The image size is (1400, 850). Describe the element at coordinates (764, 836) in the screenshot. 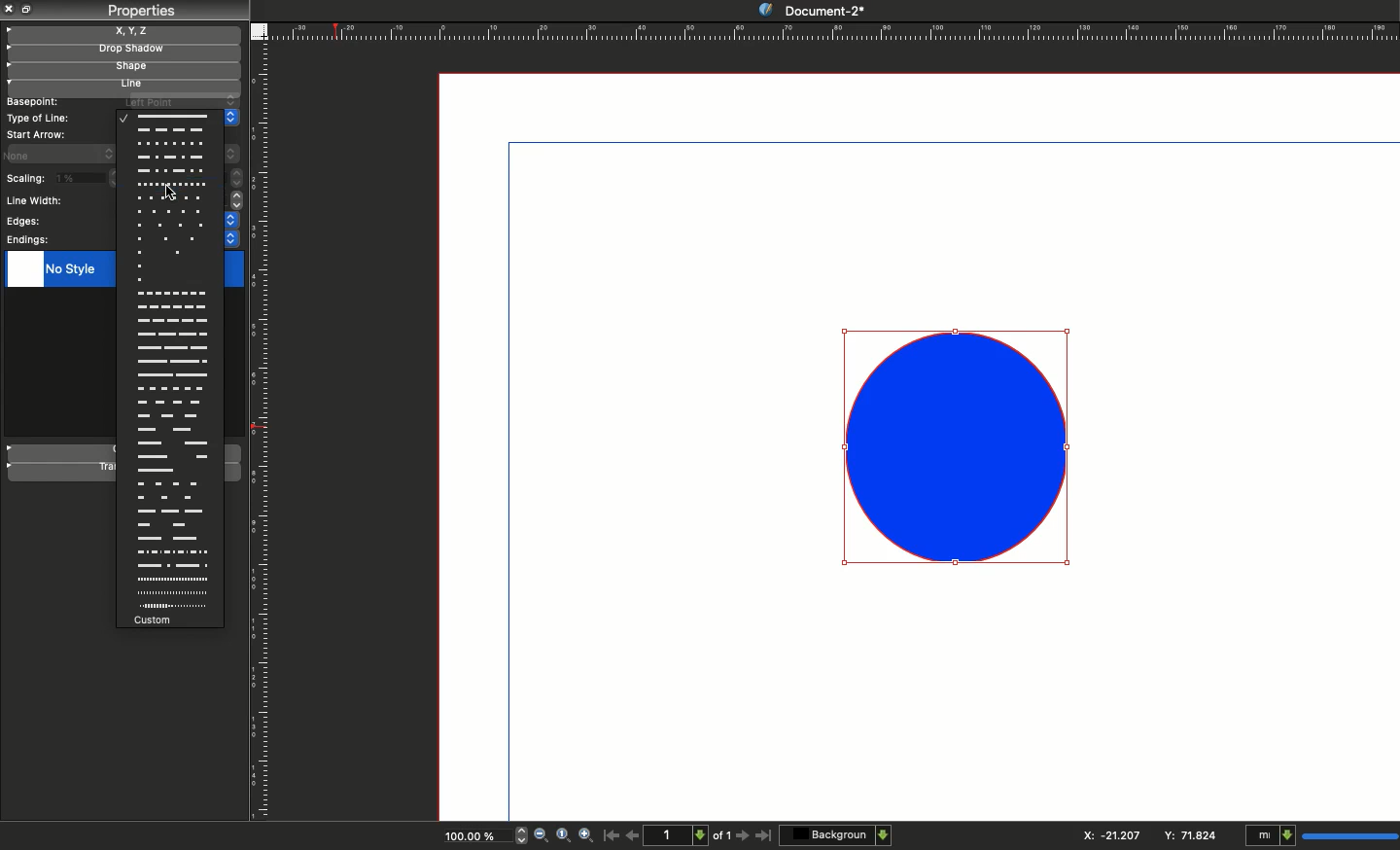

I see `Last page` at that location.